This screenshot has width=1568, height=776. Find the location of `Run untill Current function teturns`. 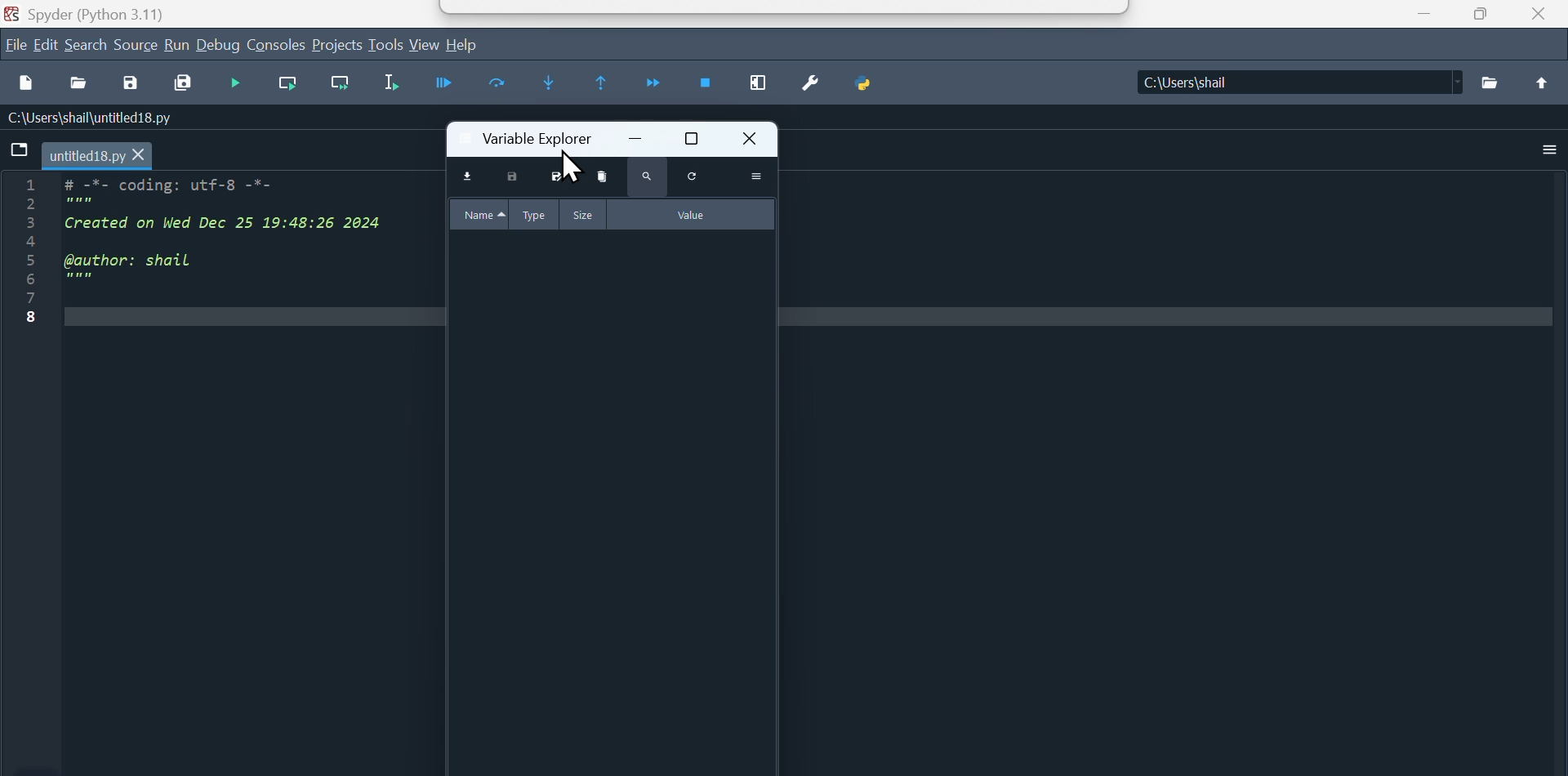

Run untill Current function teturns is located at coordinates (609, 87).